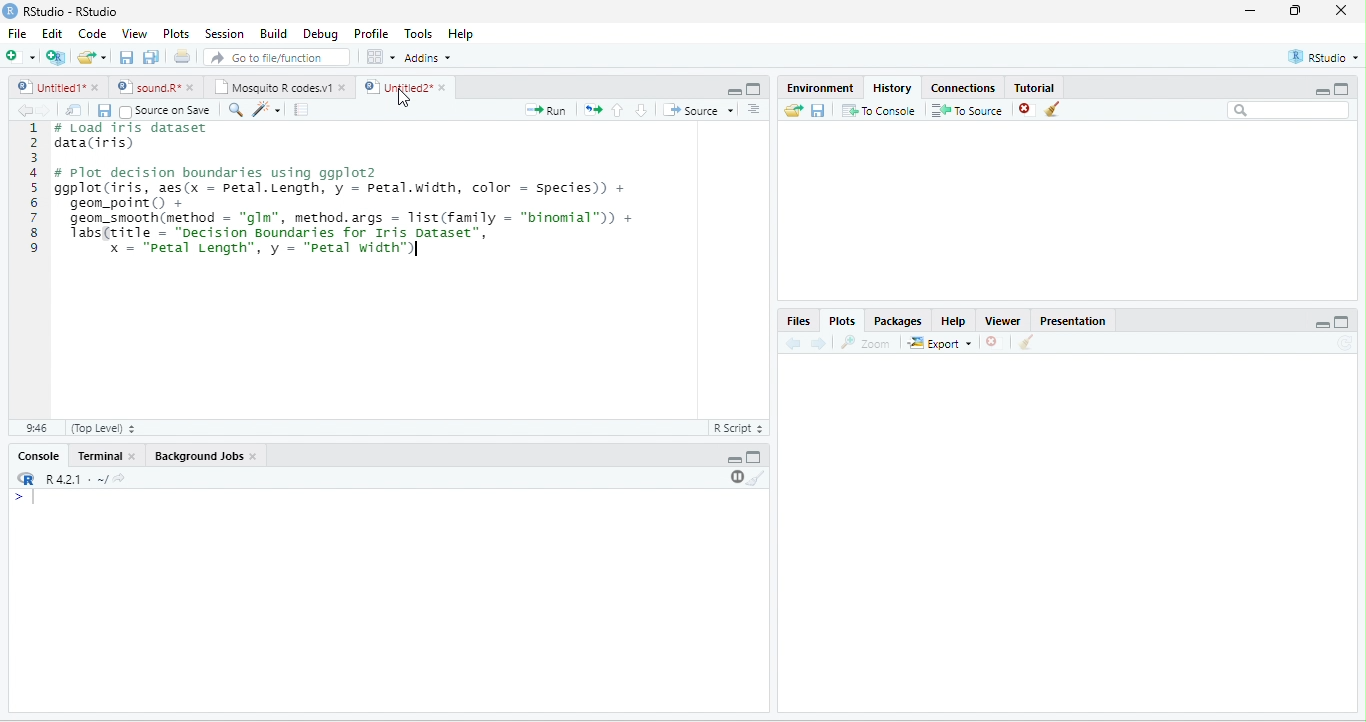 The height and width of the screenshot is (722, 1366). What do you see at coordinates (134, 457) in the screenshot?
I see `close` at bounding box center [134, 457].